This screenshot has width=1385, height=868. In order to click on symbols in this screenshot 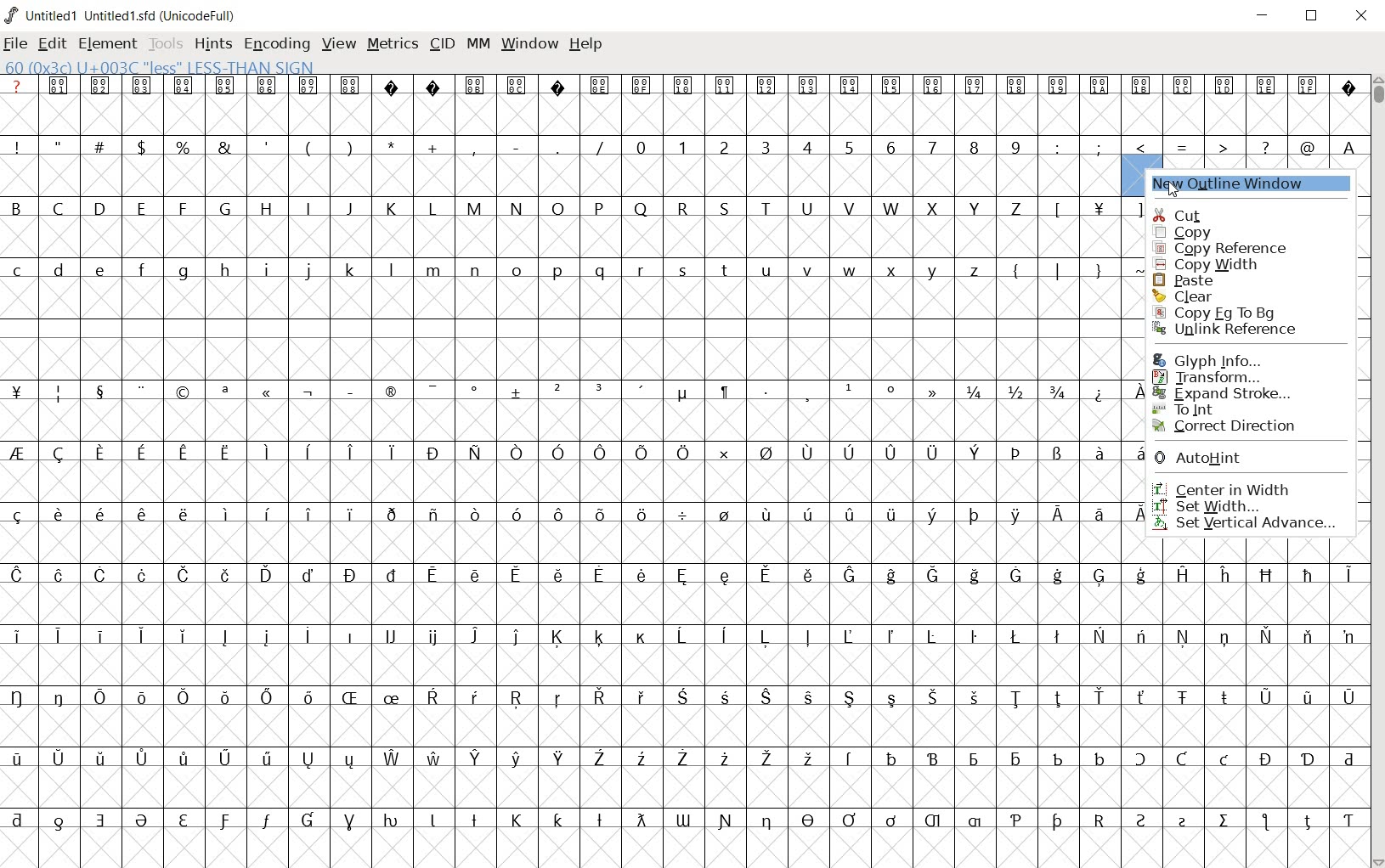, I will do `click(480, 387)`.